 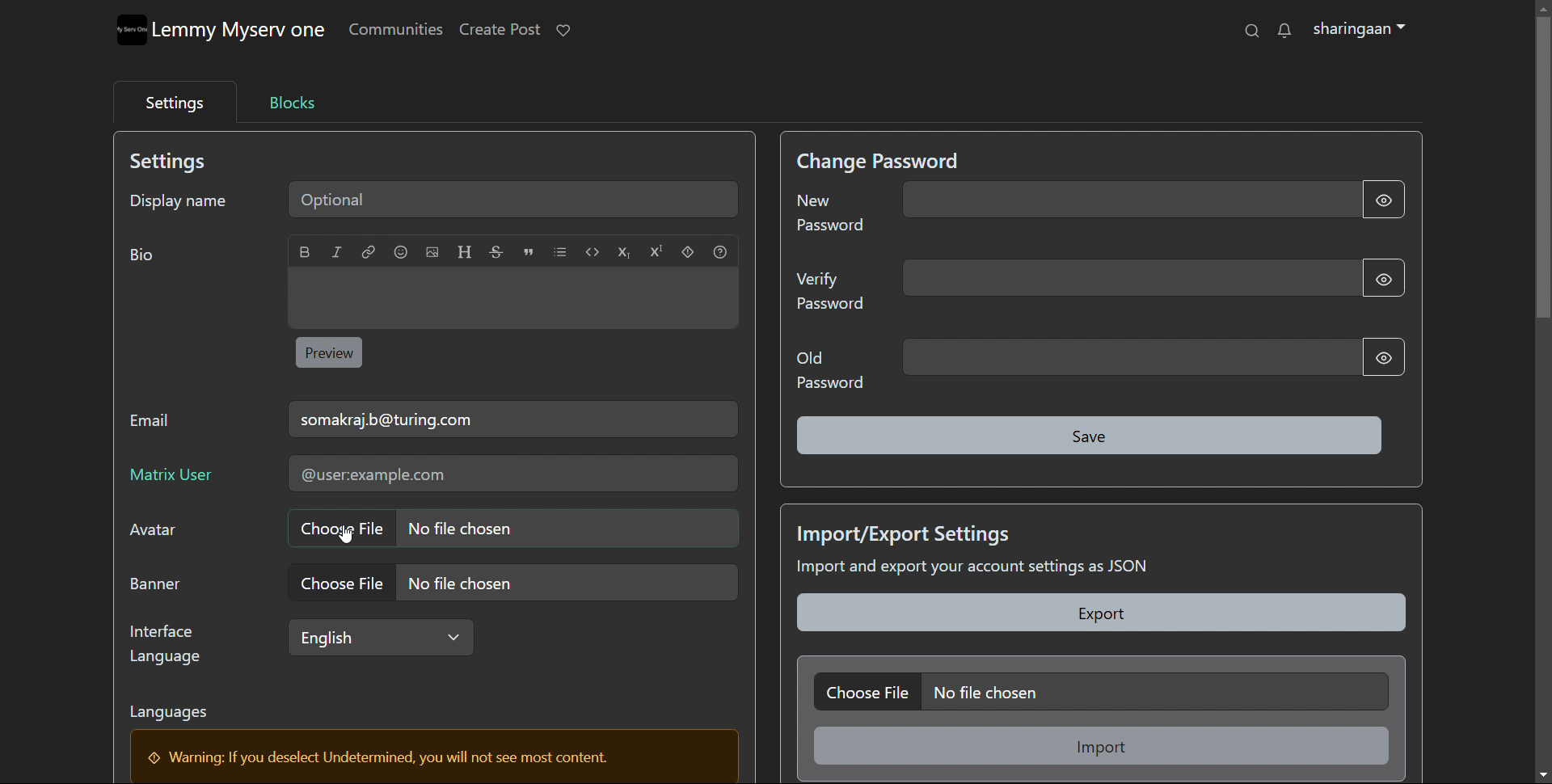 What do you see at coordinates (179, 715) in the screenshot?
I see `Languages` at bounding box center [179, 715].